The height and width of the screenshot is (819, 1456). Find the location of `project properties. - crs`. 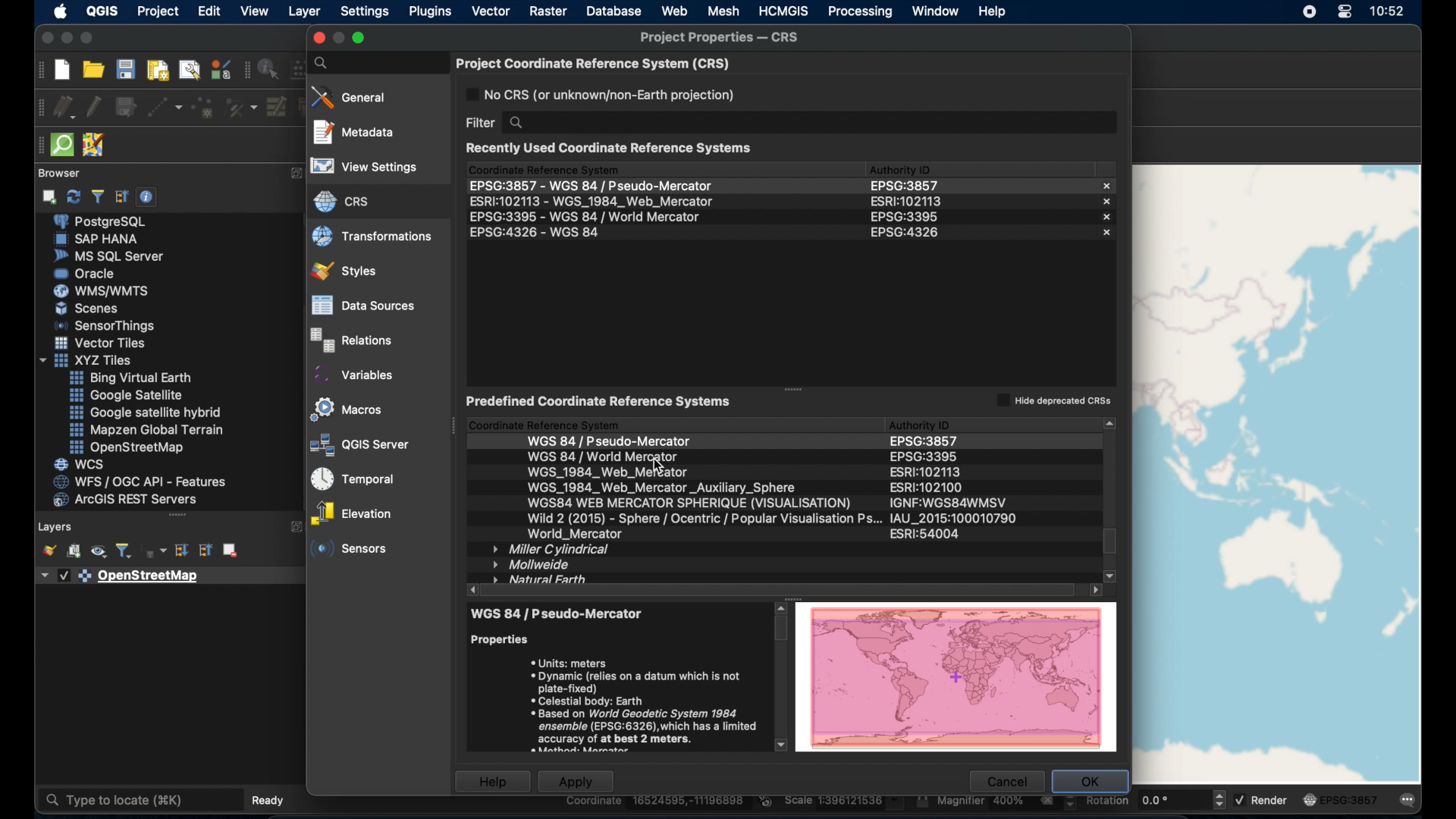

project properties. - crs is located at coordinates (724, 35).